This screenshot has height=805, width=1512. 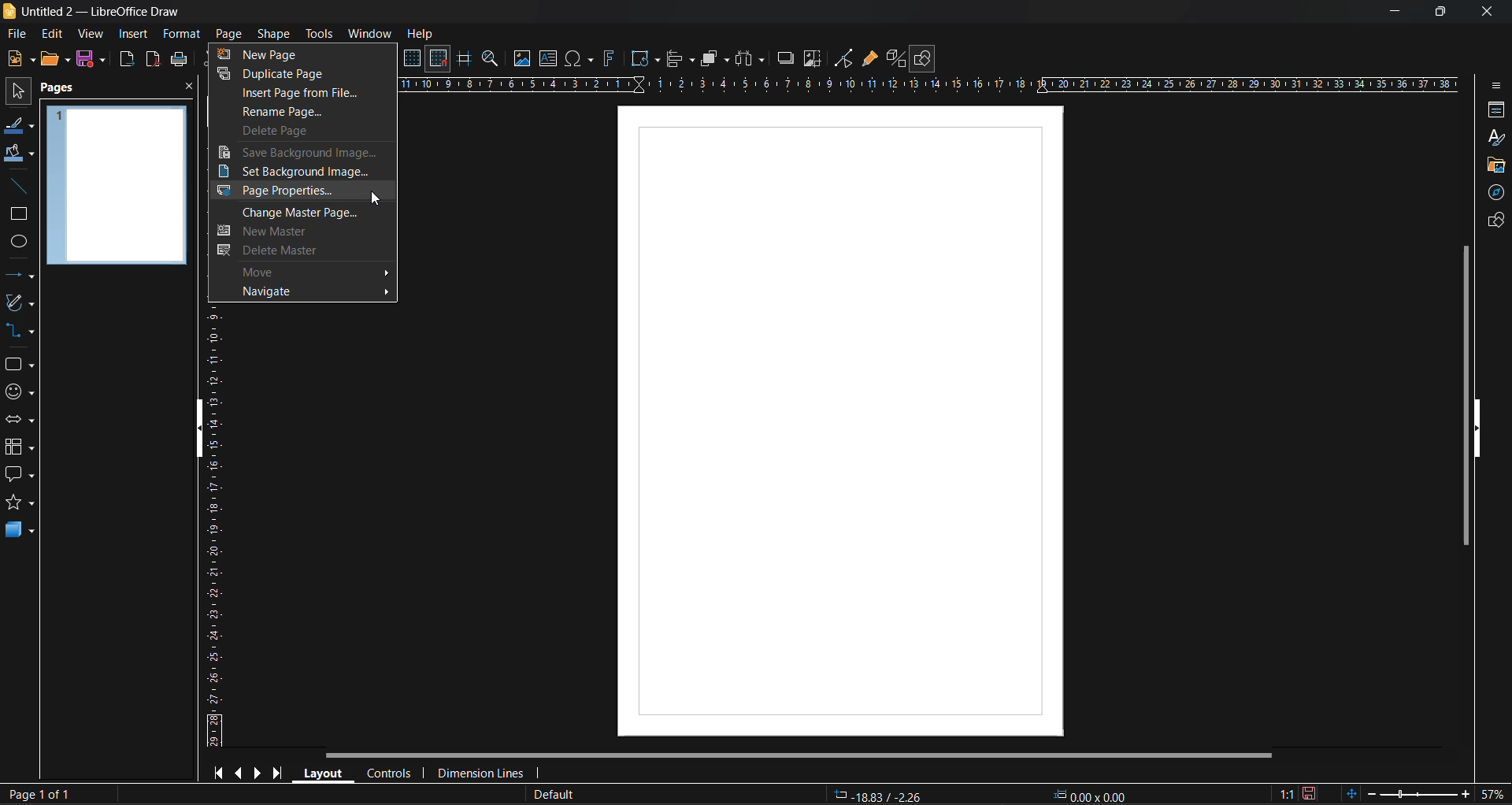 What do you see at coordinates (713, 60) in the screenshot?
I see `arrange` at bounding box center [713, 60].